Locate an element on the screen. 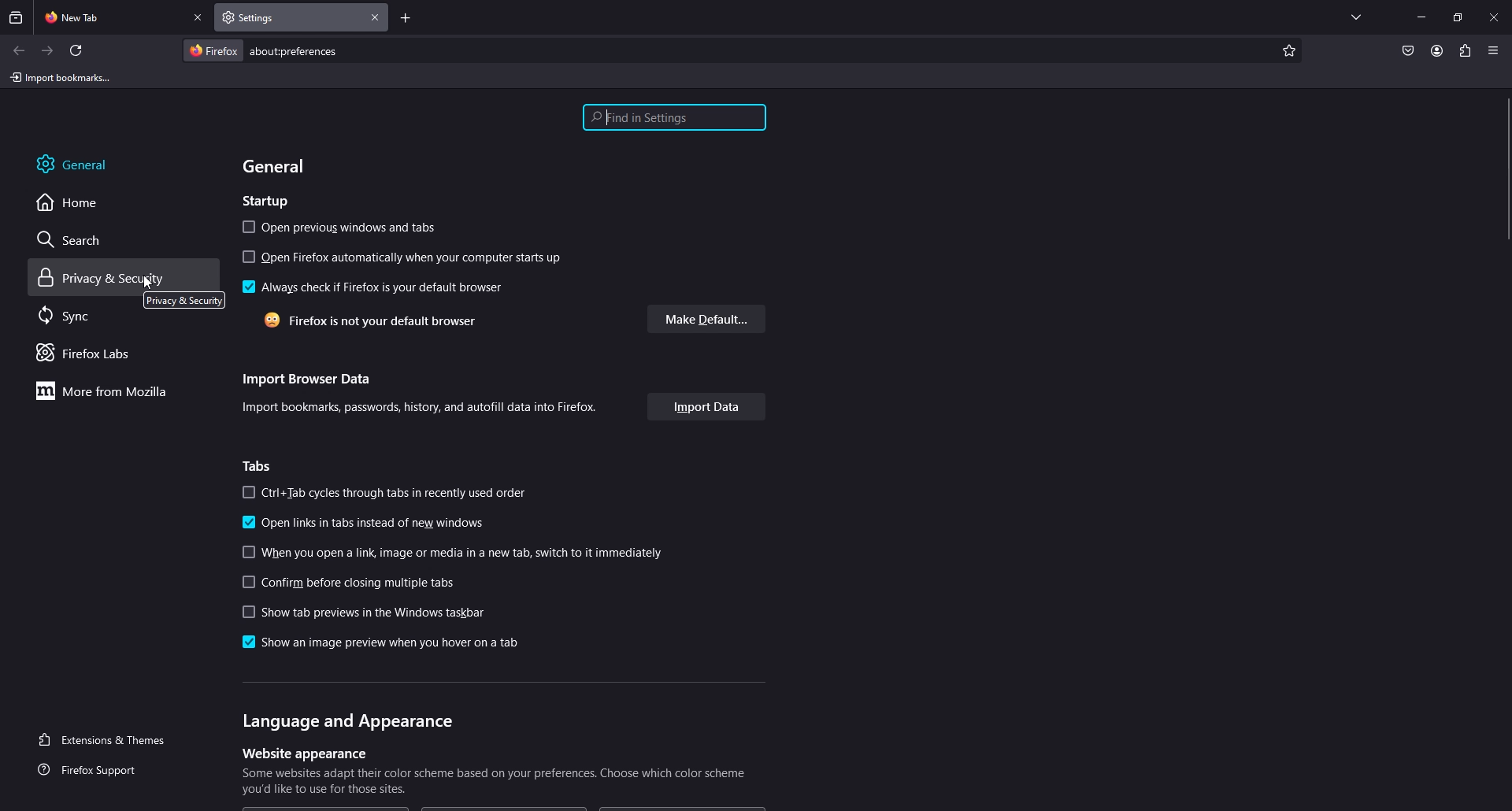  always check if firefox is your default browser is located at coordinates (370, 287).